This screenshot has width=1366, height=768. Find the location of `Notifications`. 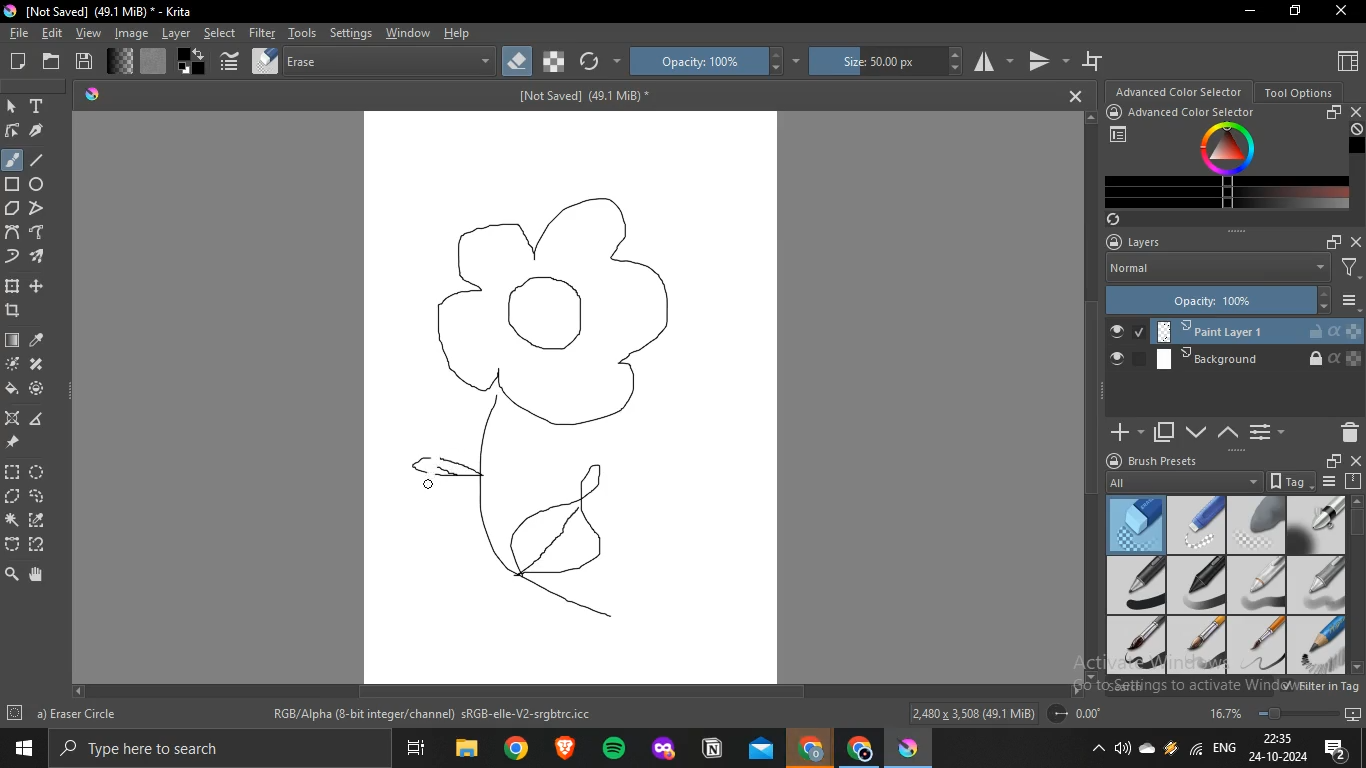

Notifications is located at coordinates (1336, 747).